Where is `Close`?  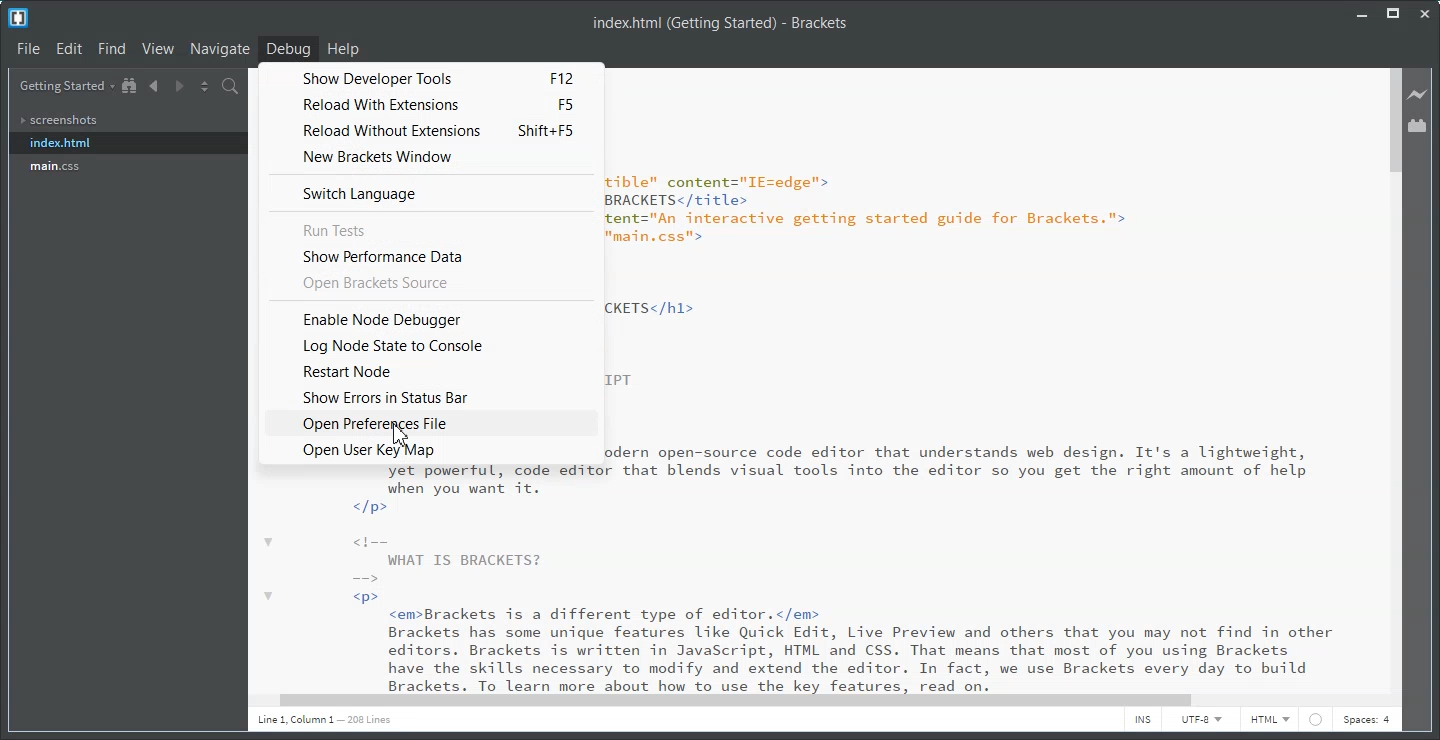 Close is located at coordinates (1424, 14).